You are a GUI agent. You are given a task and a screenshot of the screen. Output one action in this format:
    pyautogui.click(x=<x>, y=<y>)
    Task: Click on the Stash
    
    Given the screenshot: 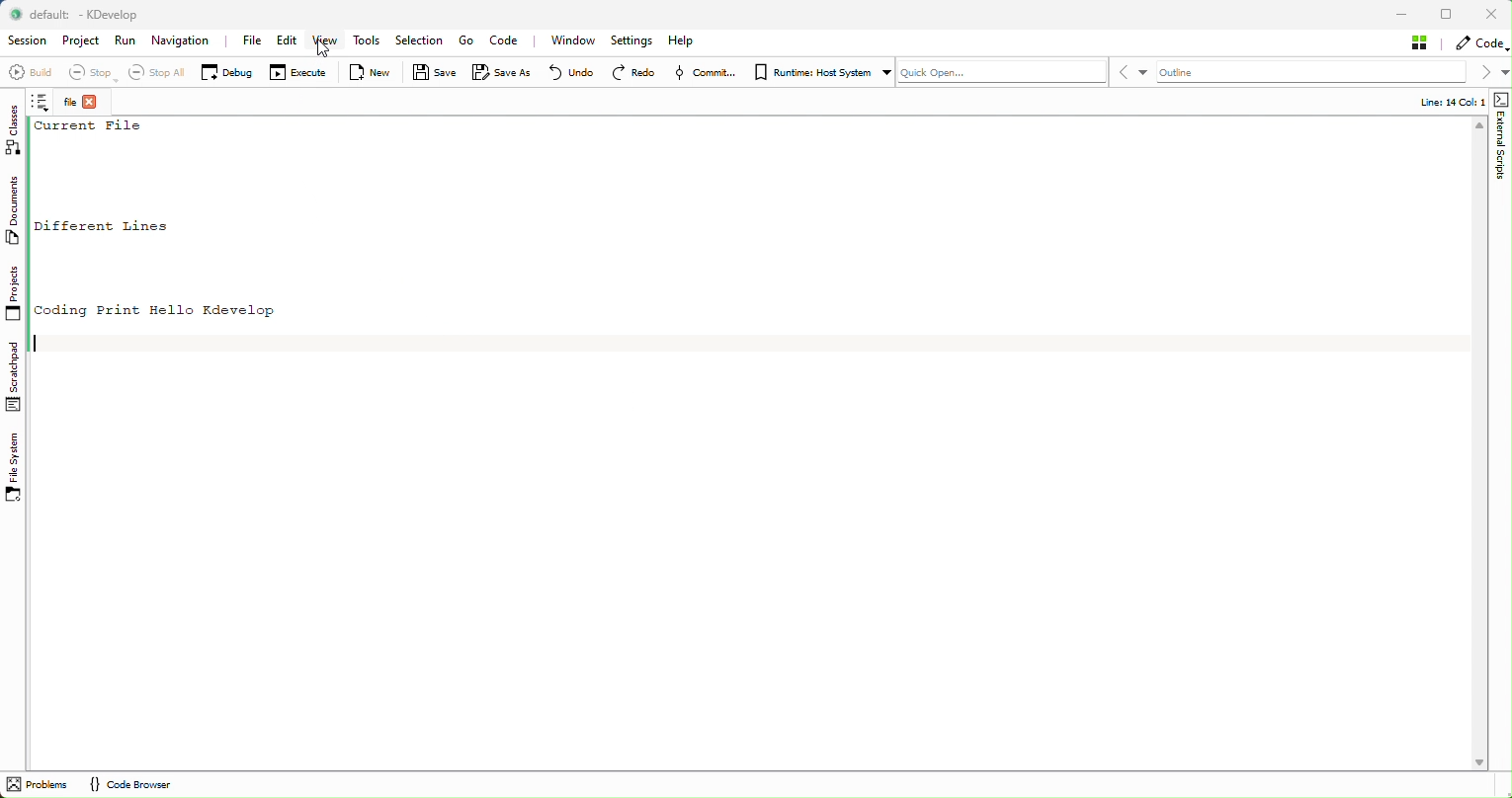 What is the action you would take?
    pyautogui.click(x=1421, y=42)
    